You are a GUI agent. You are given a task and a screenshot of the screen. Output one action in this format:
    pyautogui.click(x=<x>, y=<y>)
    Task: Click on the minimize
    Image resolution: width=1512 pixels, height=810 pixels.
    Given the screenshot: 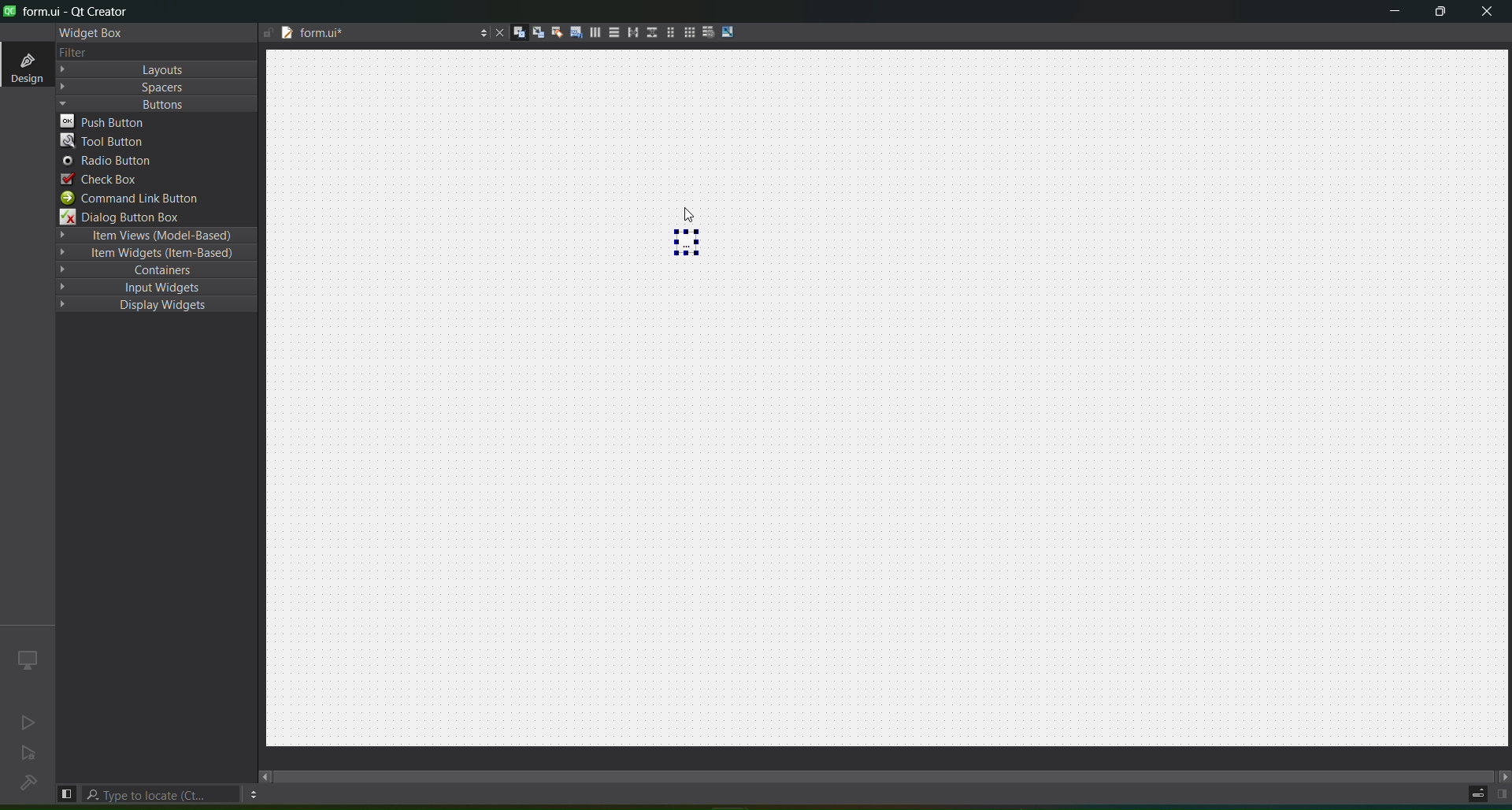 What is the action you would take?
    pyautogui.click(x=1395, y=13)
    